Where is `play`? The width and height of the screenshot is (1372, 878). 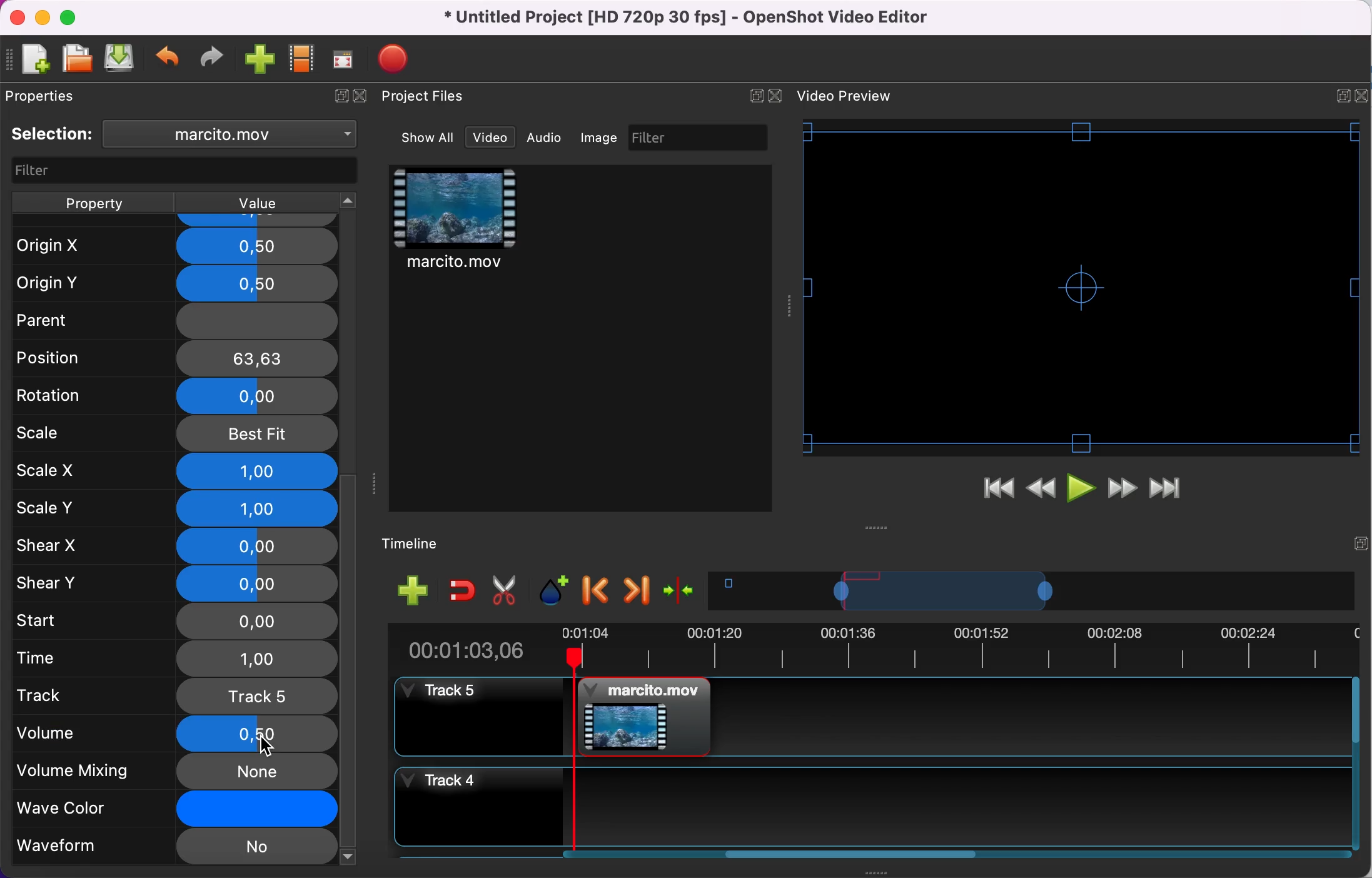 play is located at coordinates (1083, 491).